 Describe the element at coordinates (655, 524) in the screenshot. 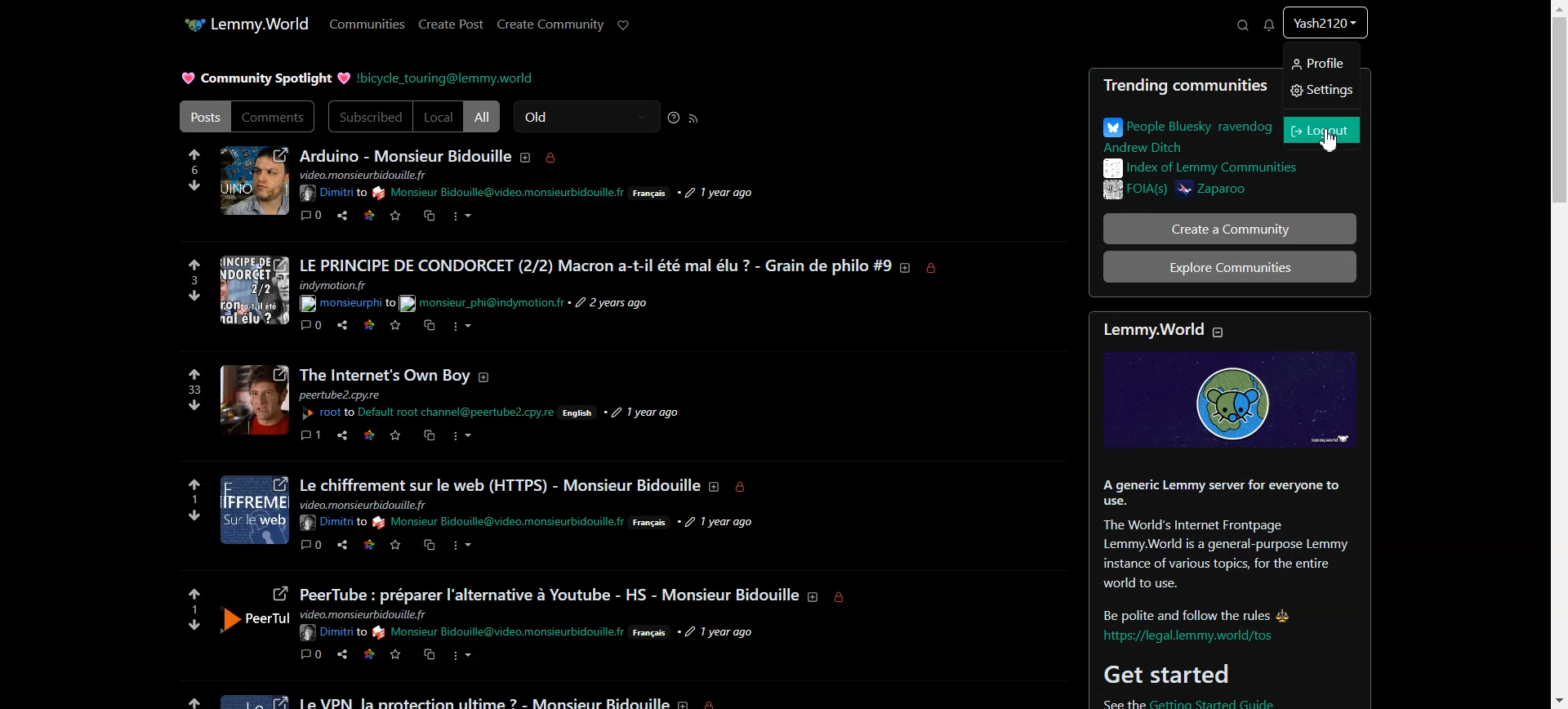

I see `Francais` at that location.